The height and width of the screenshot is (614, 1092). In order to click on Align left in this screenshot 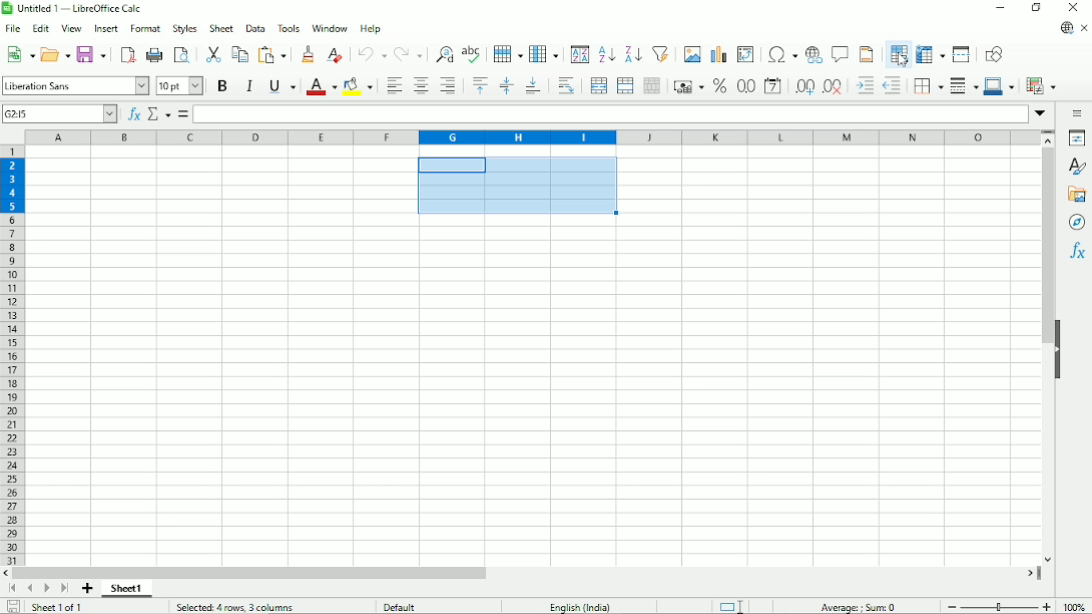, I will do `click(394, 86)`.